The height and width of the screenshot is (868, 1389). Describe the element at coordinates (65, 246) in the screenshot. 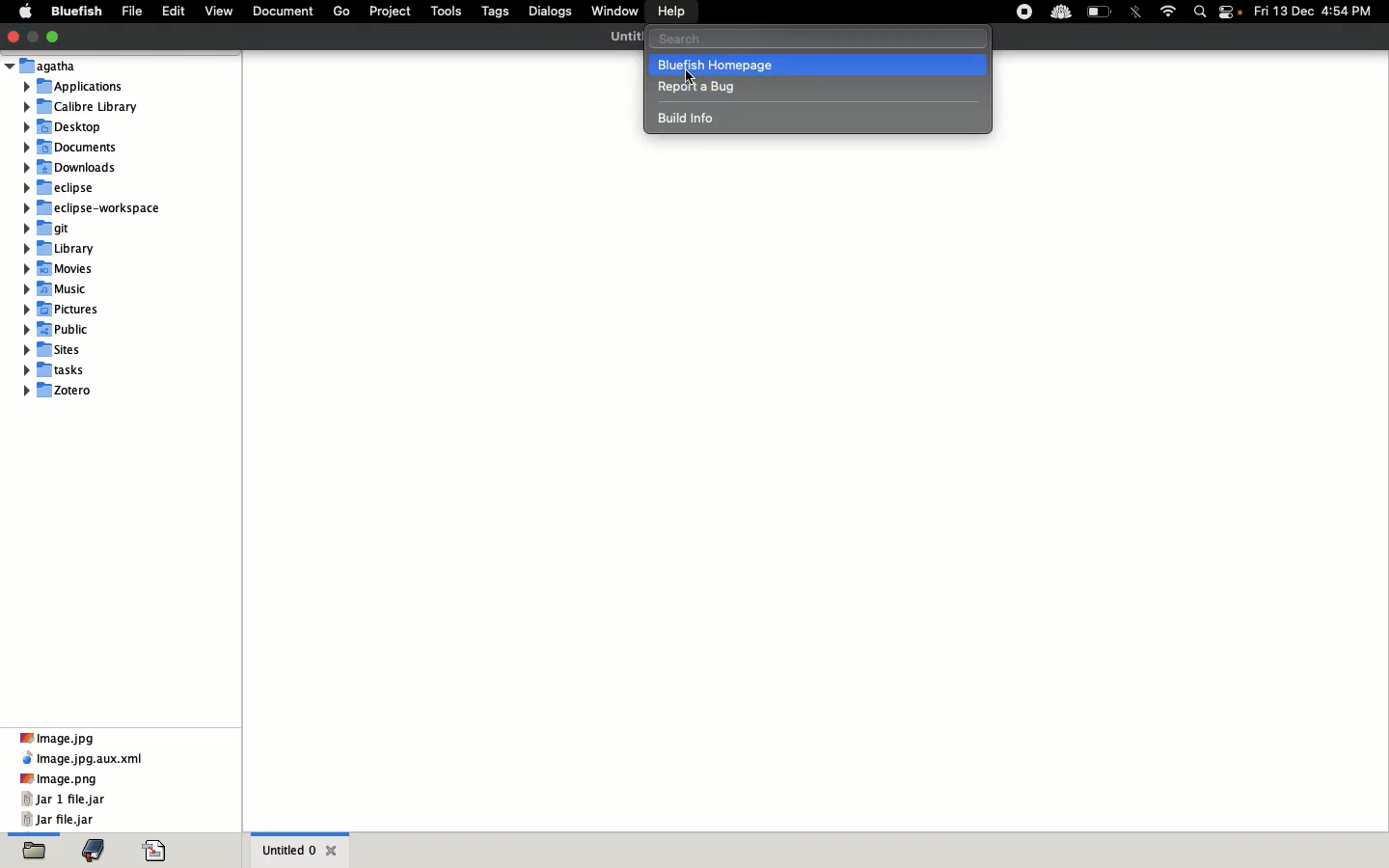

I see `library` at that location.